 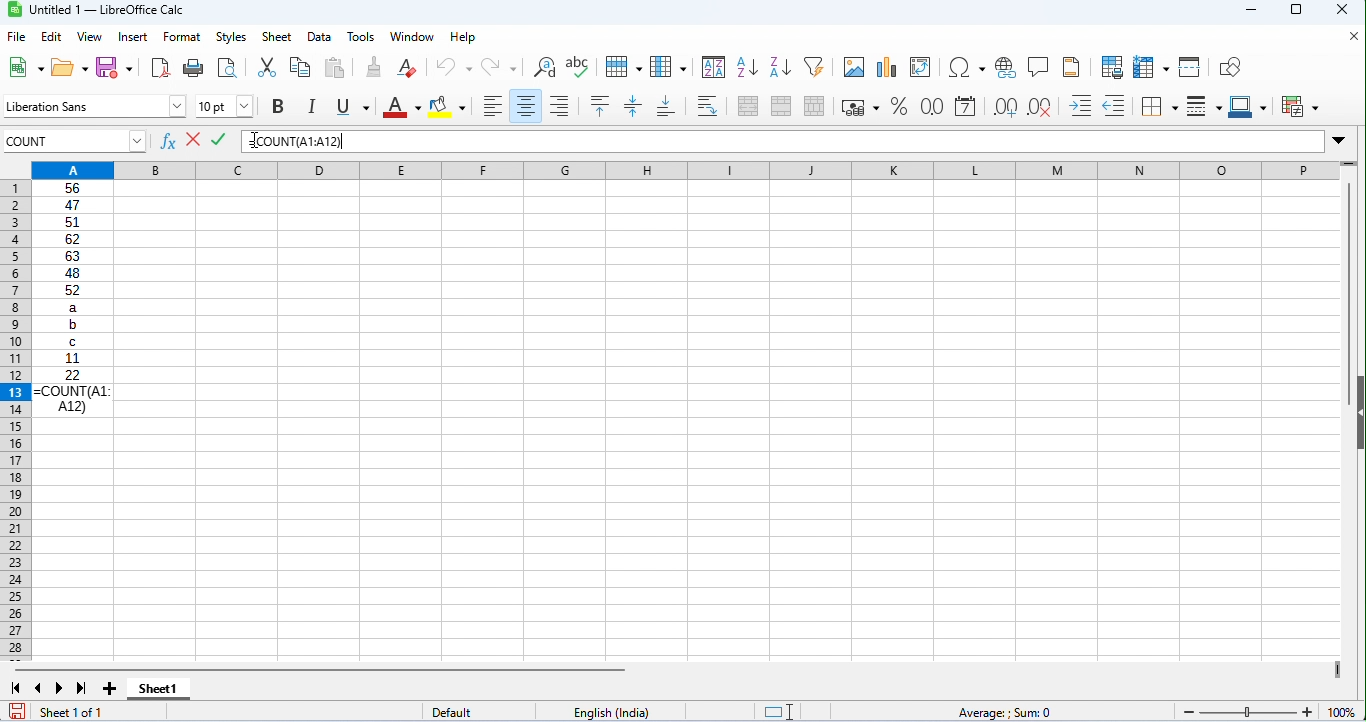 I want to click on =COUNT(A1:A12), so click(x=295, y=142).